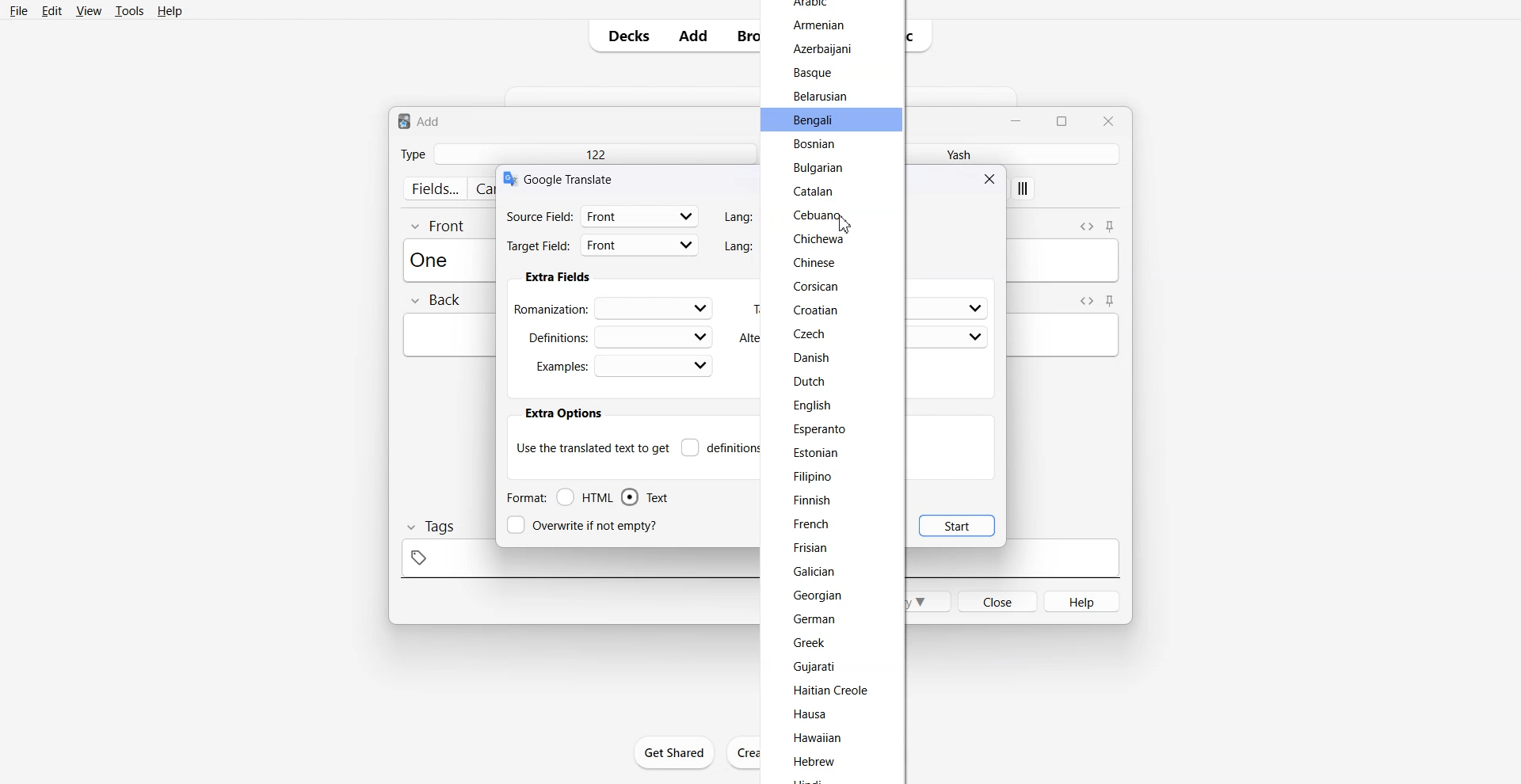  What do you see at coordinates (816, 668) in the screenshot?
I see `Gujarati` at bounding box center [816, 668].